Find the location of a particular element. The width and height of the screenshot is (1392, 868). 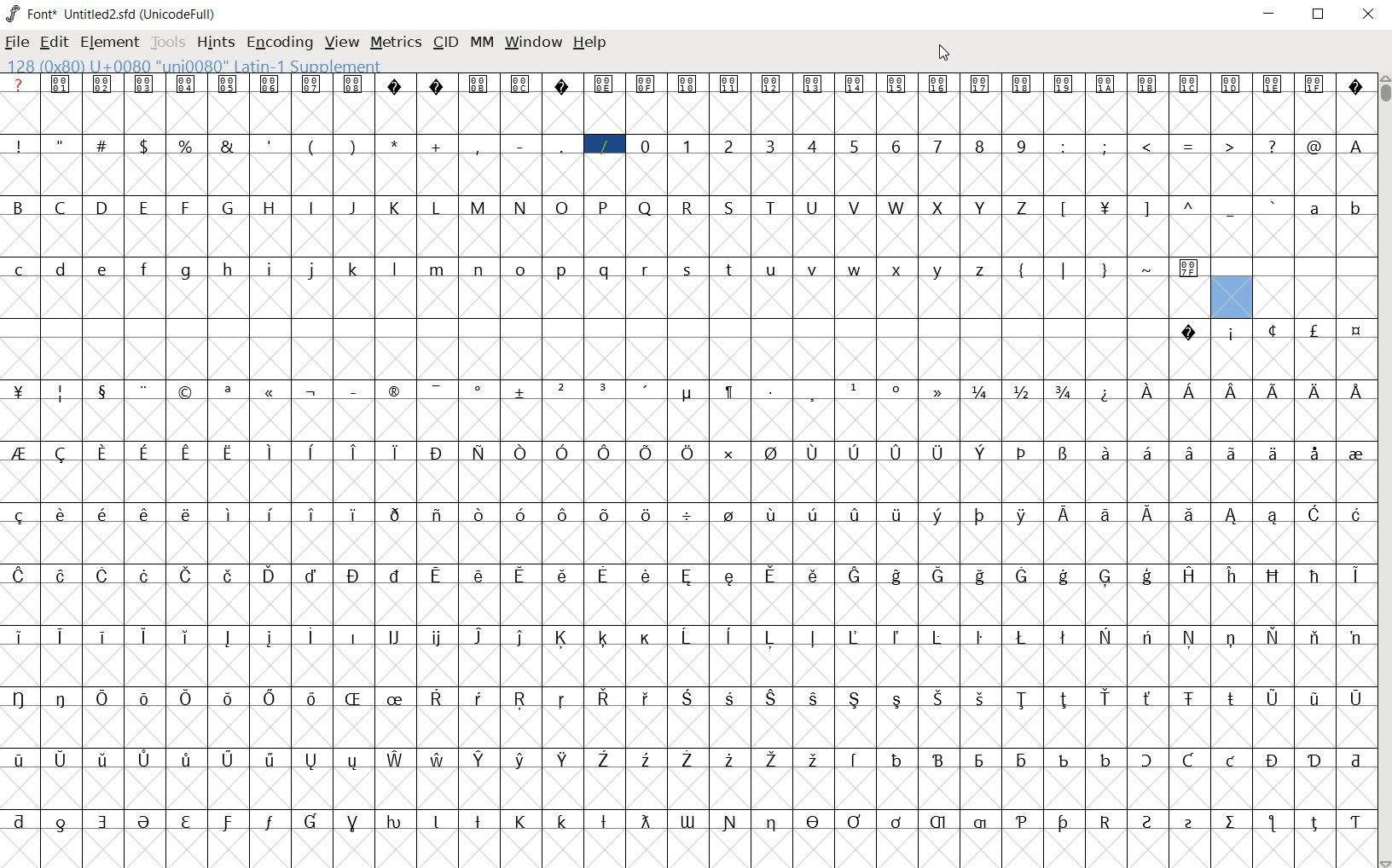

glyph is located at coordinates (1105, 636).